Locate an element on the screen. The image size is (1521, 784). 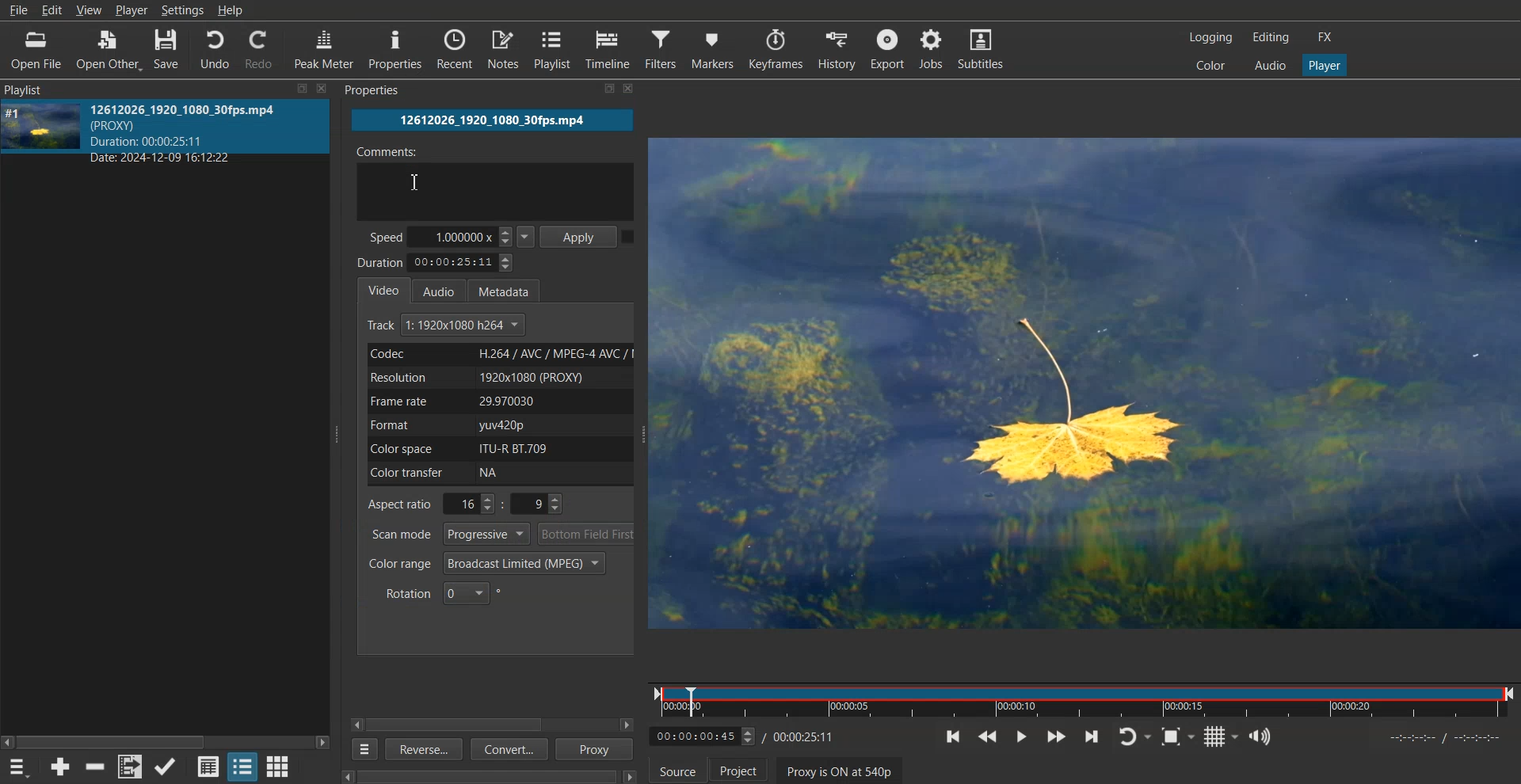
Remove cut is located at coordinates (97, 767).